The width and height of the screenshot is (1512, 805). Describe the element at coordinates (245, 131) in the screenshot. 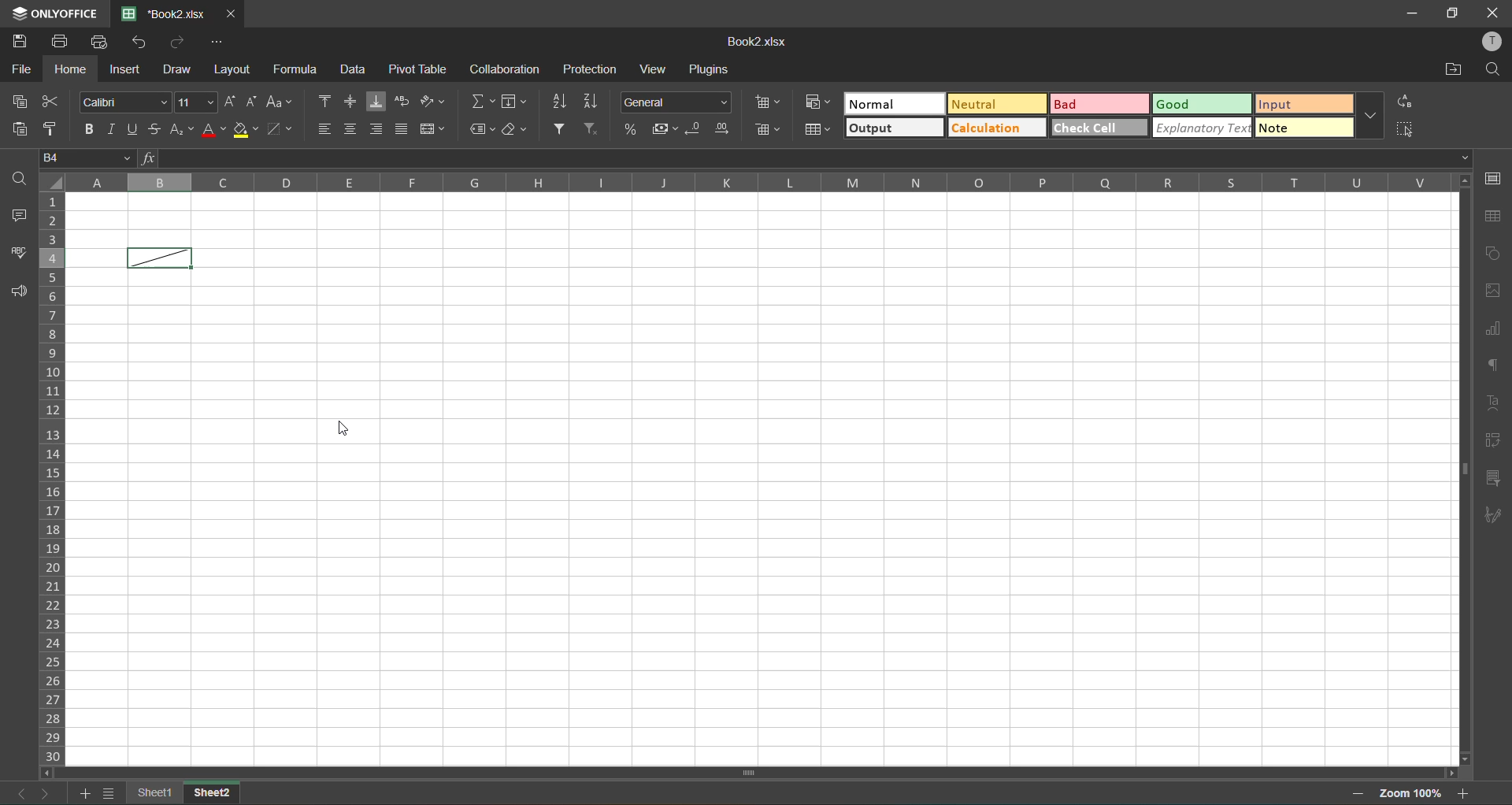

I see `fillcolor` at that location.